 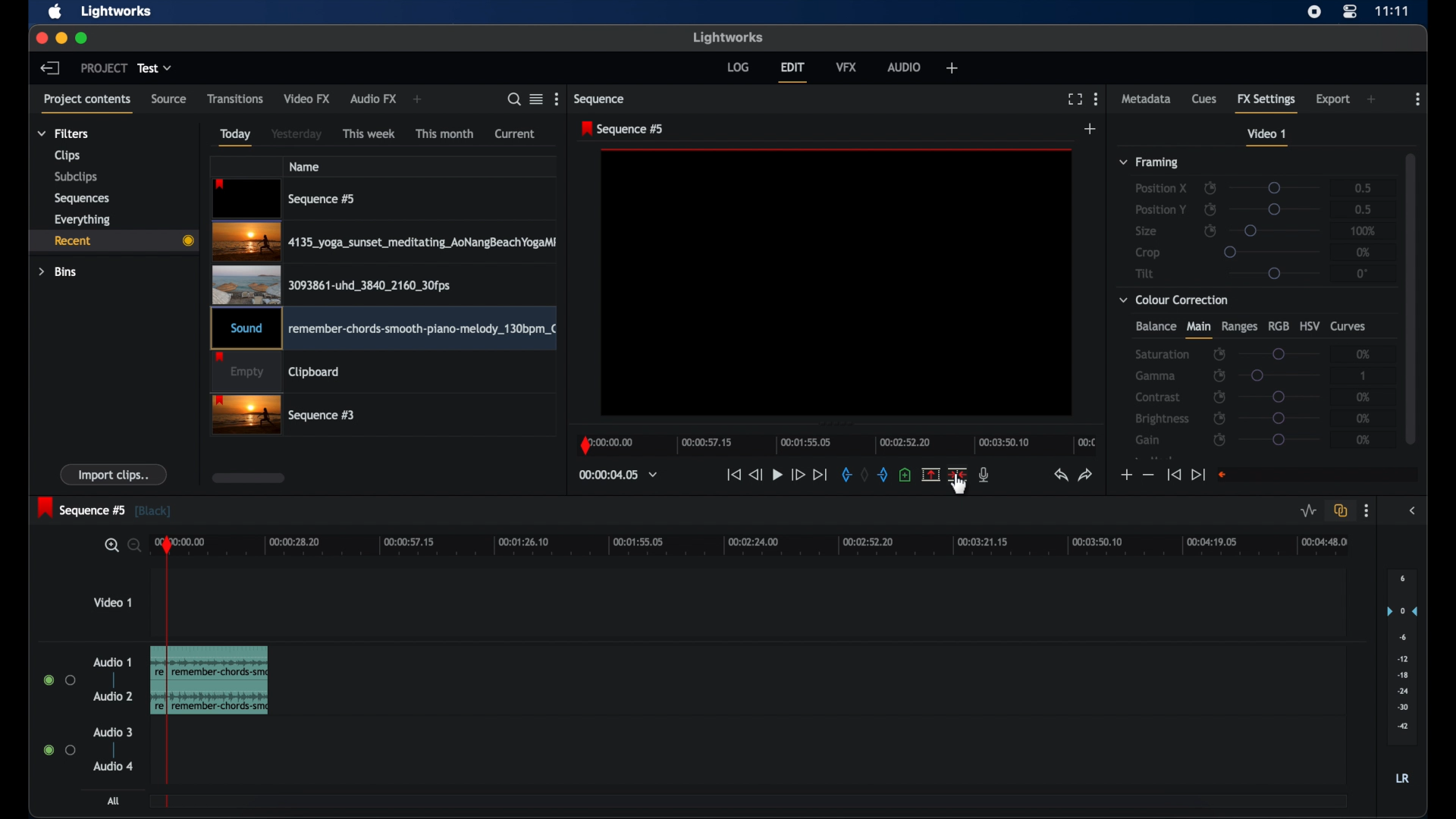 I want to click on audio 3, so click(x=111, y=733).